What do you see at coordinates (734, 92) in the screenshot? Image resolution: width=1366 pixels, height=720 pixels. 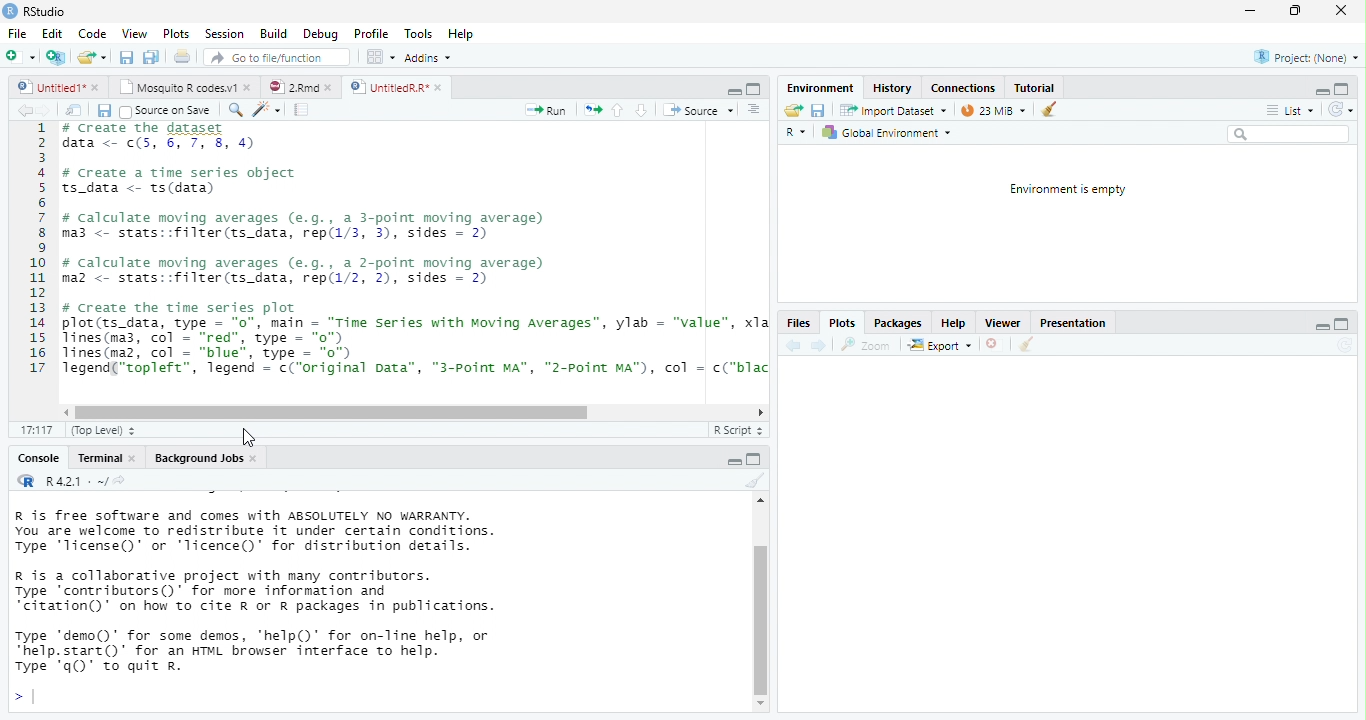 I see `minimize` at bounding box center [734, 92].